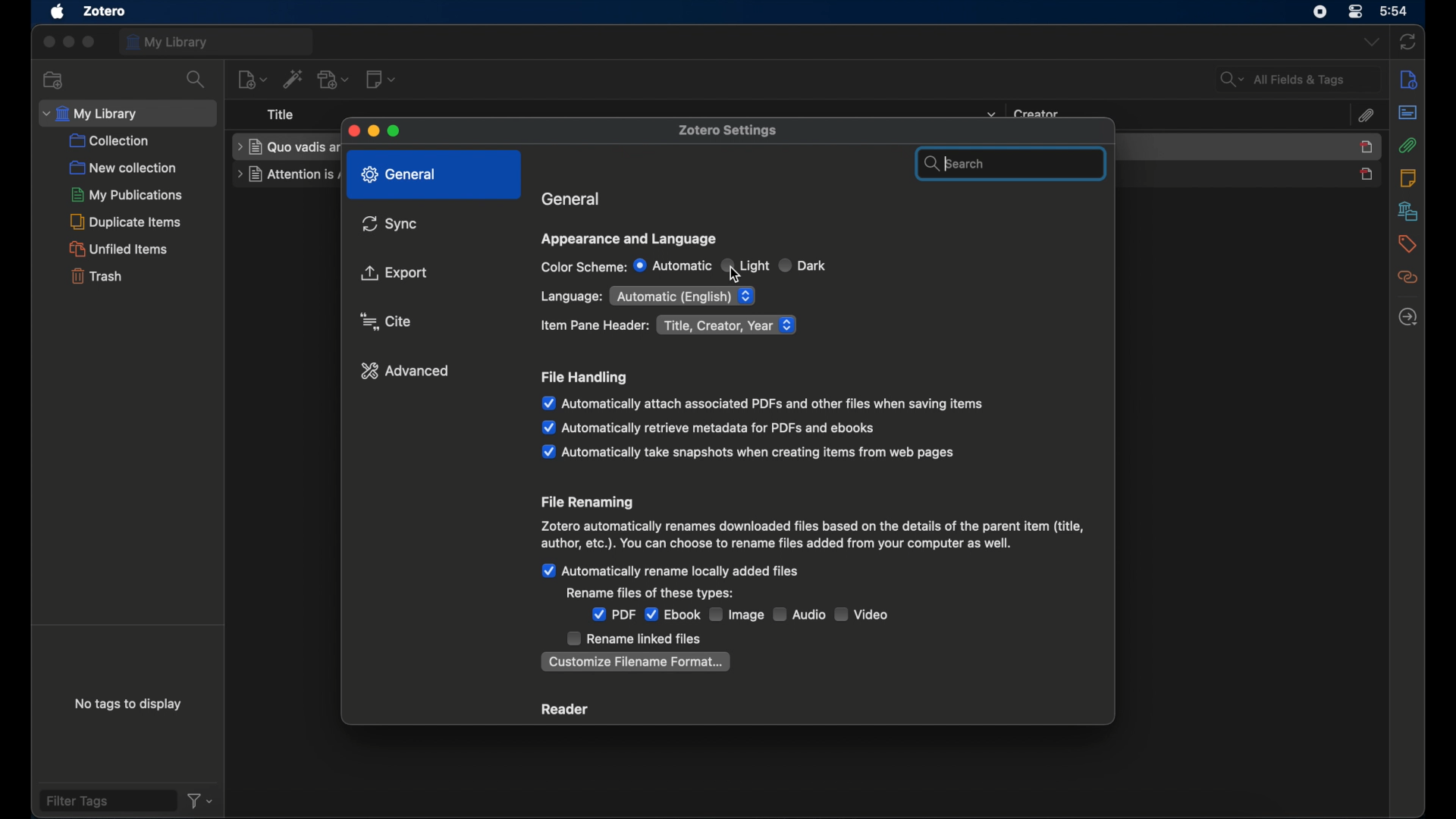 This screenshot has width=1456, height=819. Describe the element at coordinates (633, 639) in the screenshot. I see `rename linked files` at that location.